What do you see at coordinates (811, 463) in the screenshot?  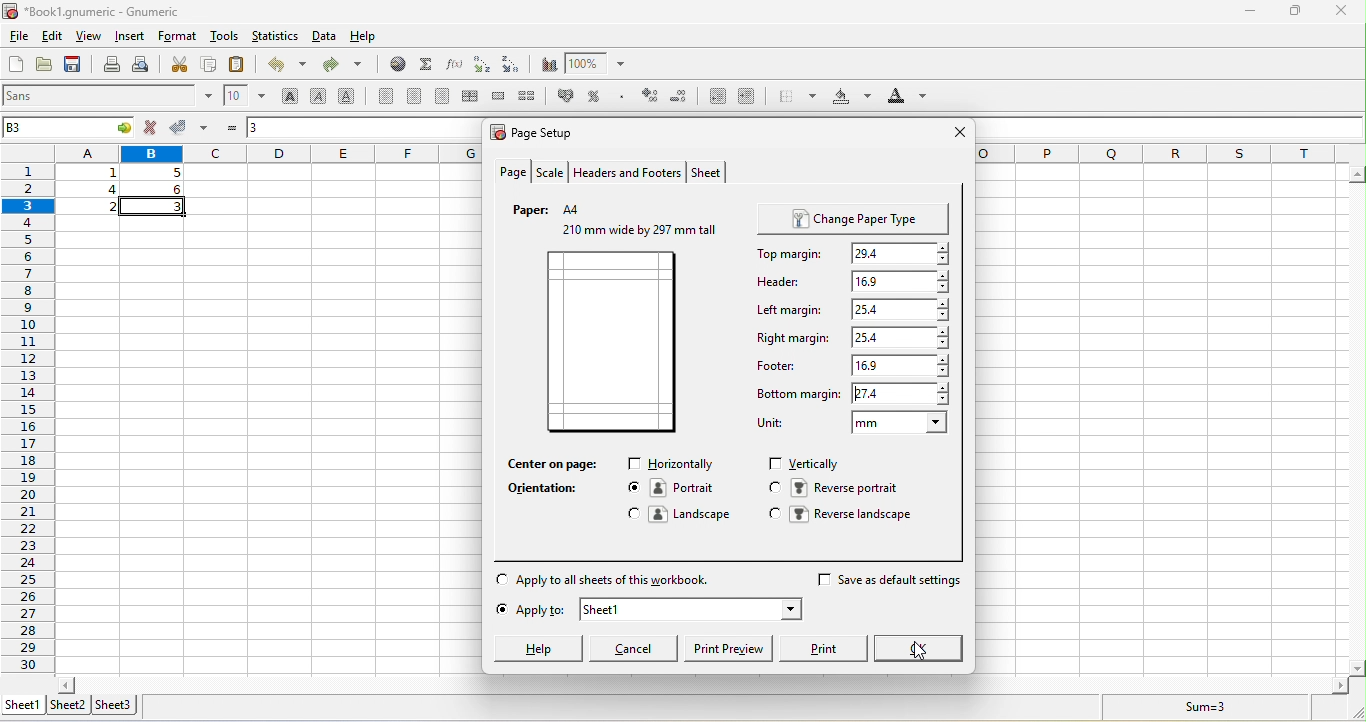 I see `vertically` at bounding box center [811, 463].